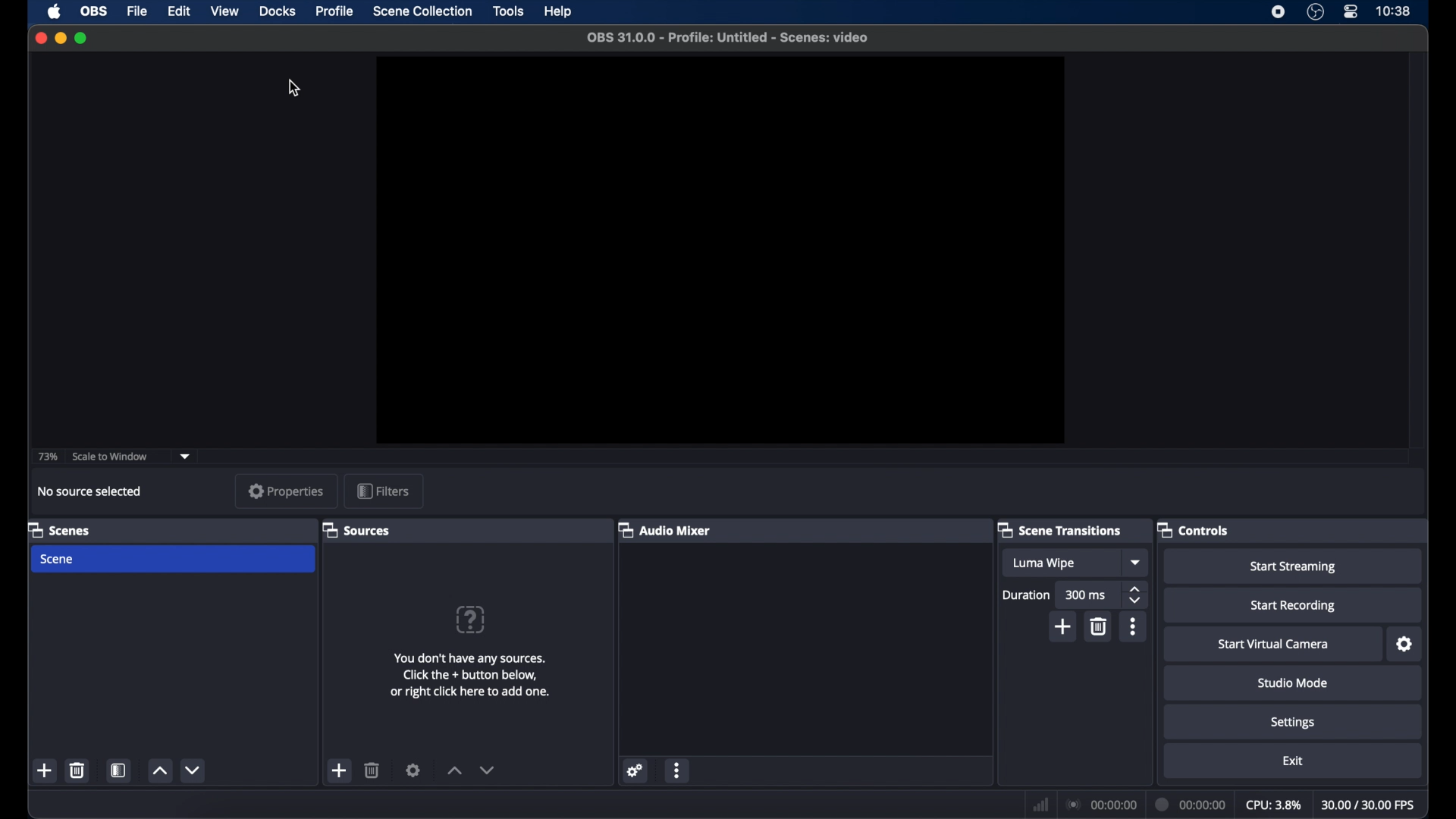  What do you see at coordinates (723, 249) in the screenshot?
I see `preview` at bounding box center [723, 249].